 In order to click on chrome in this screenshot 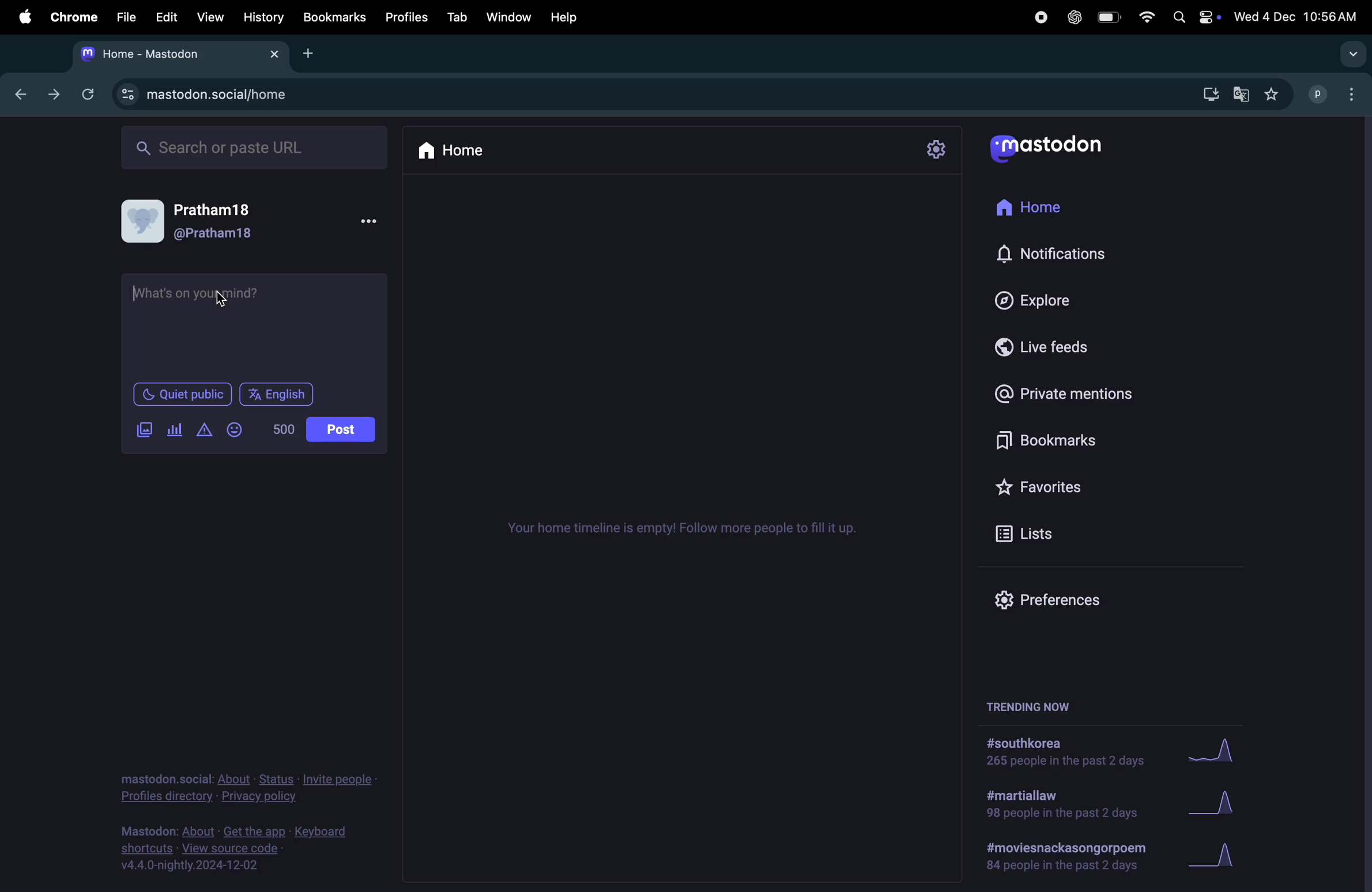, I will do `click(71, 17)`.